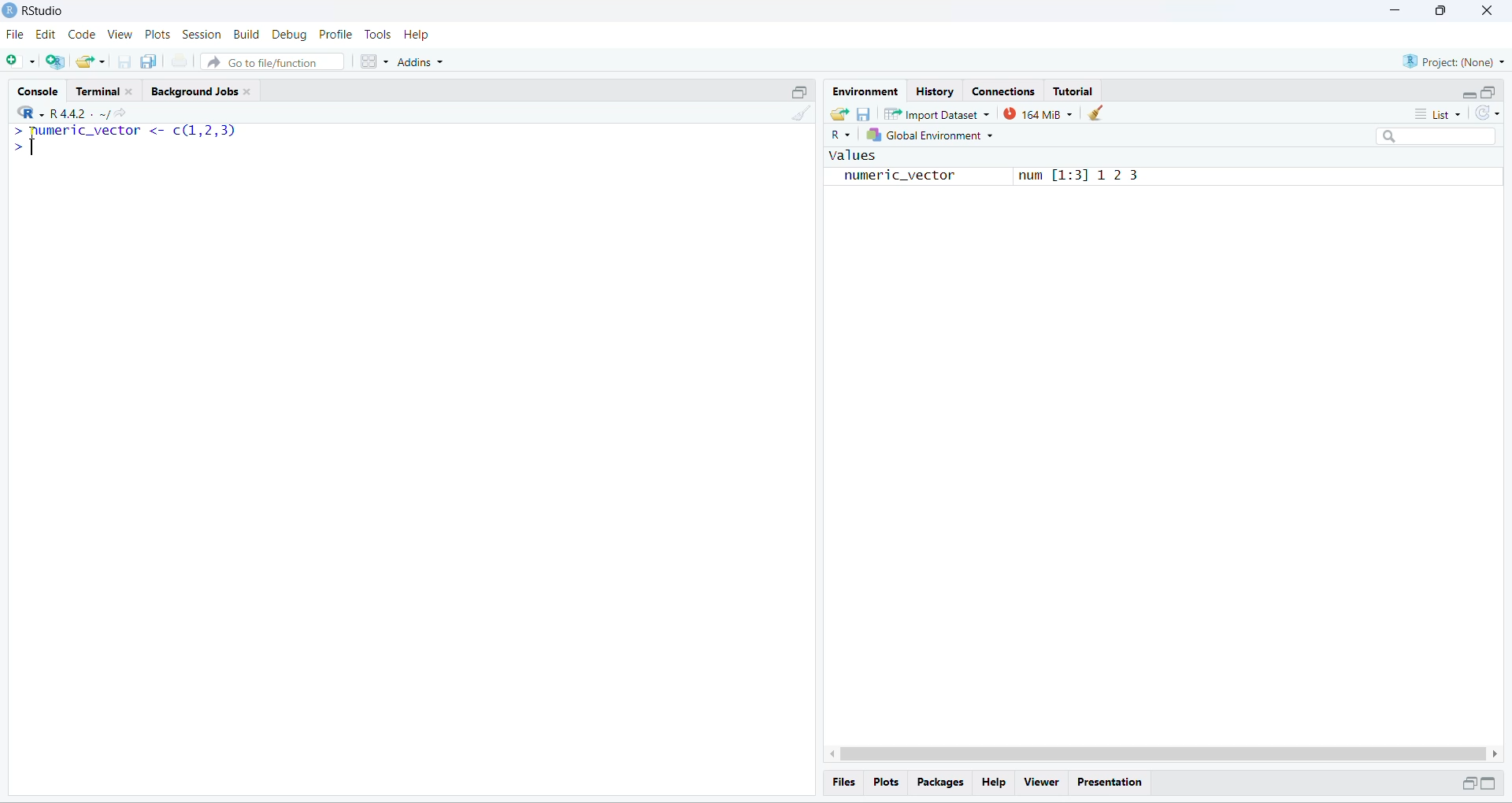 This screenshot has width=1512, height=803. Describe the element at coordinates (1489, 783) in the screenshot. I see `maximize` at that location.